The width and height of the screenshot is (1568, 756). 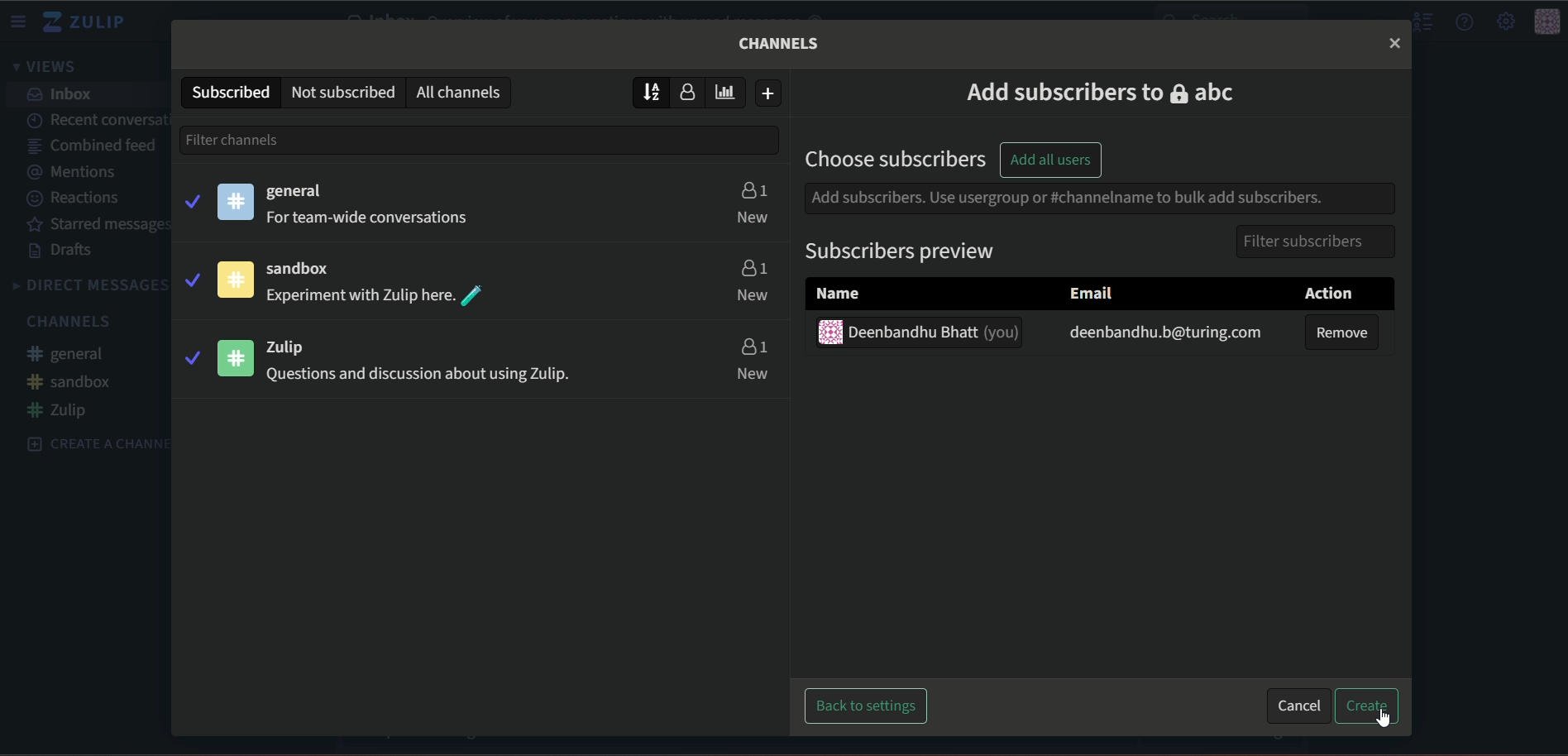 What do you see at coordinates (76, 199) in the screenshot?
I see `reactions` at bounding box center [76, 199].